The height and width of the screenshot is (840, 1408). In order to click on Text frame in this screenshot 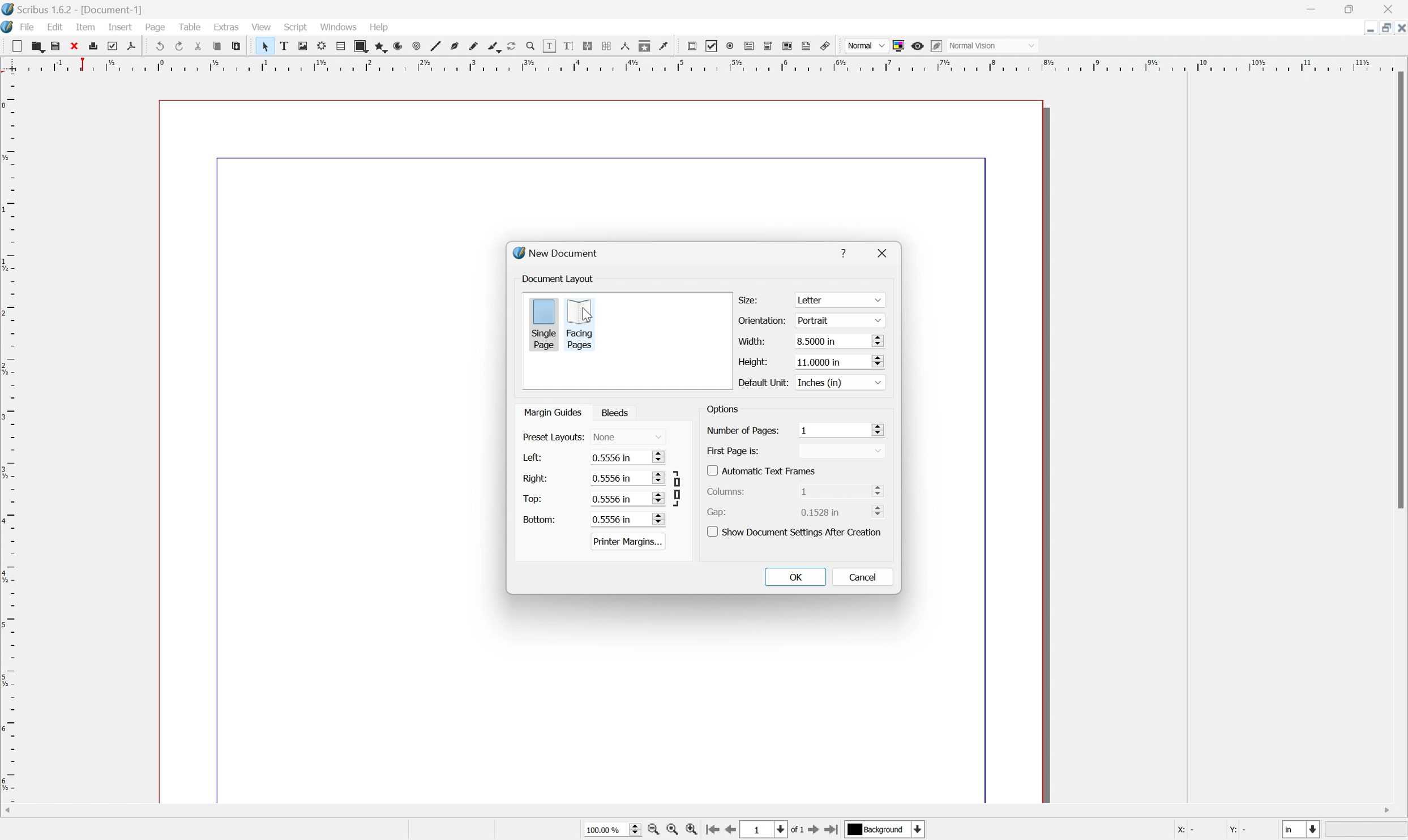, I will do `click(284, 46)`.